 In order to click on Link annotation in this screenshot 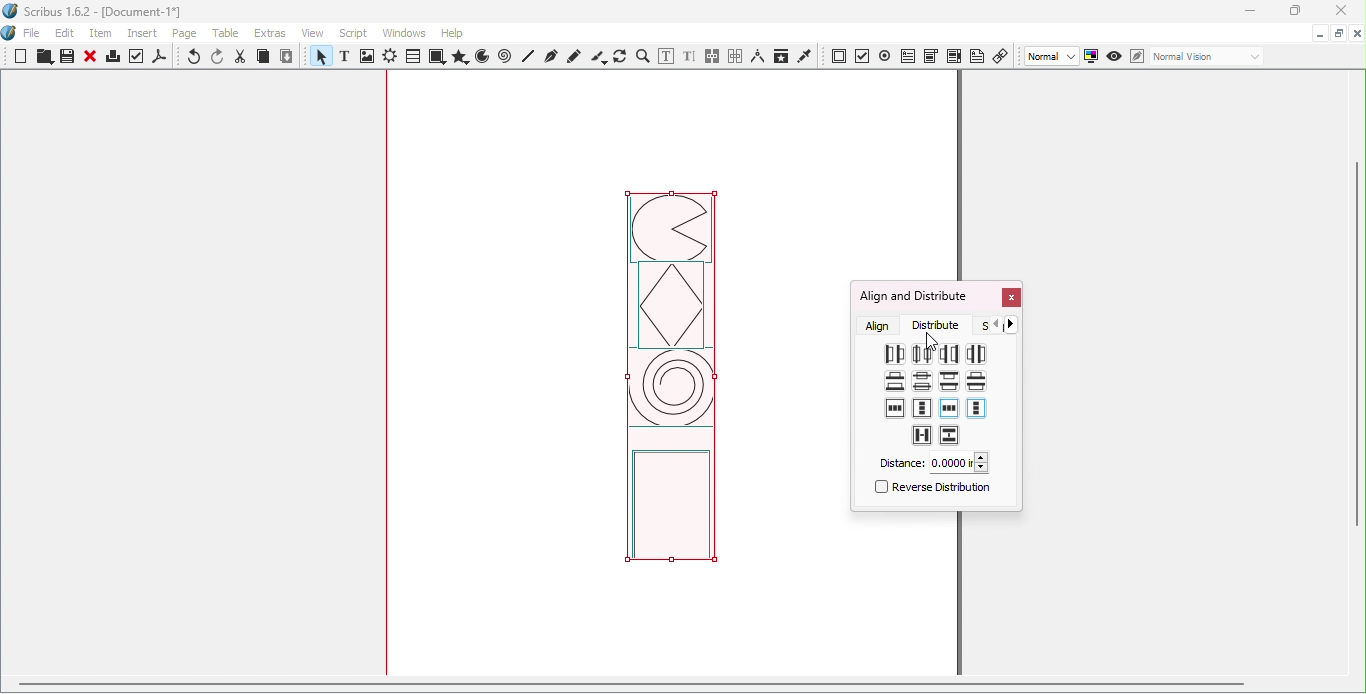, I will do `click(1002, 55)`.